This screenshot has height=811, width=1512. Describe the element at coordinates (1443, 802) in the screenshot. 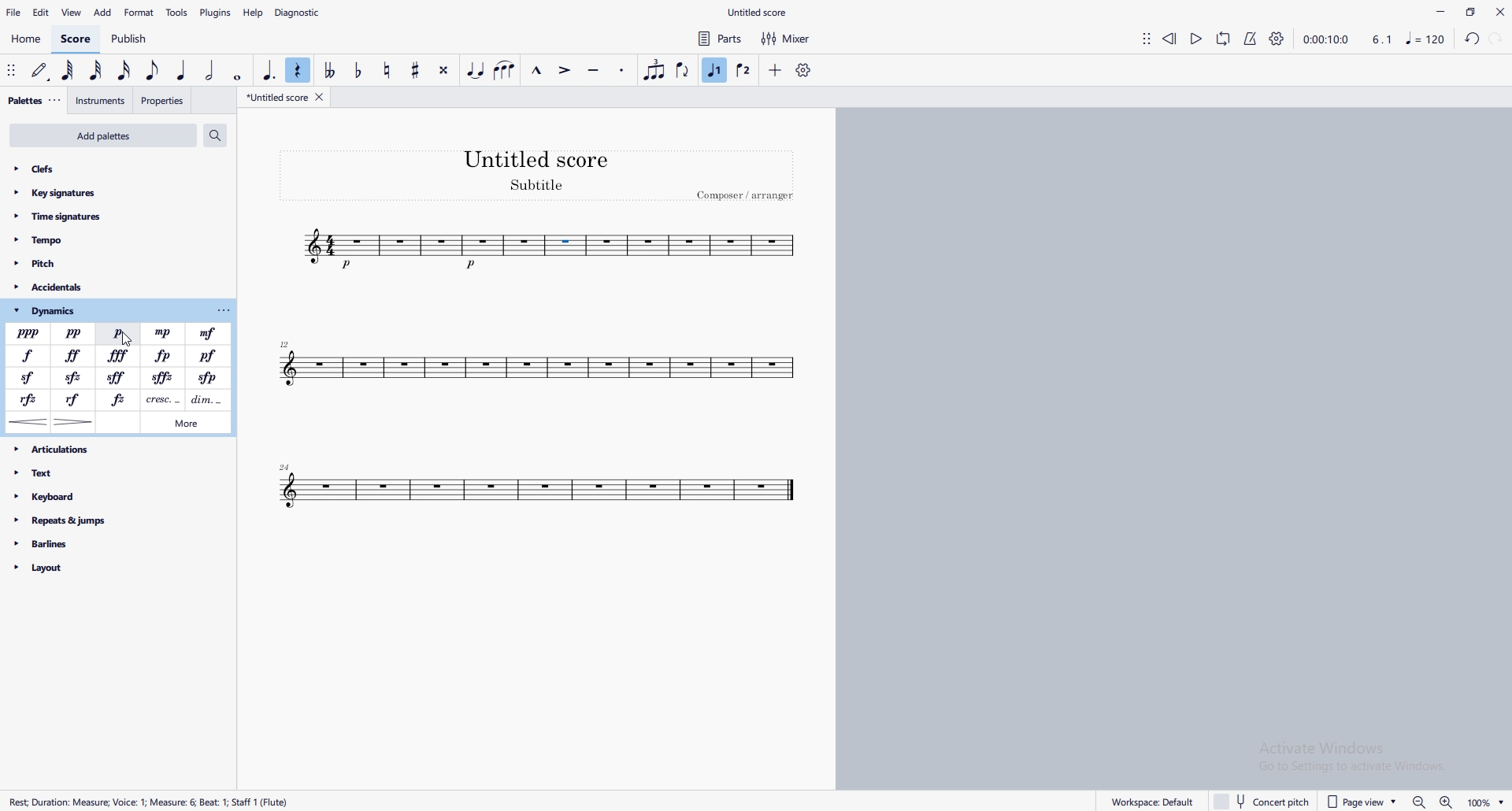

I see `zoom out` at that location.